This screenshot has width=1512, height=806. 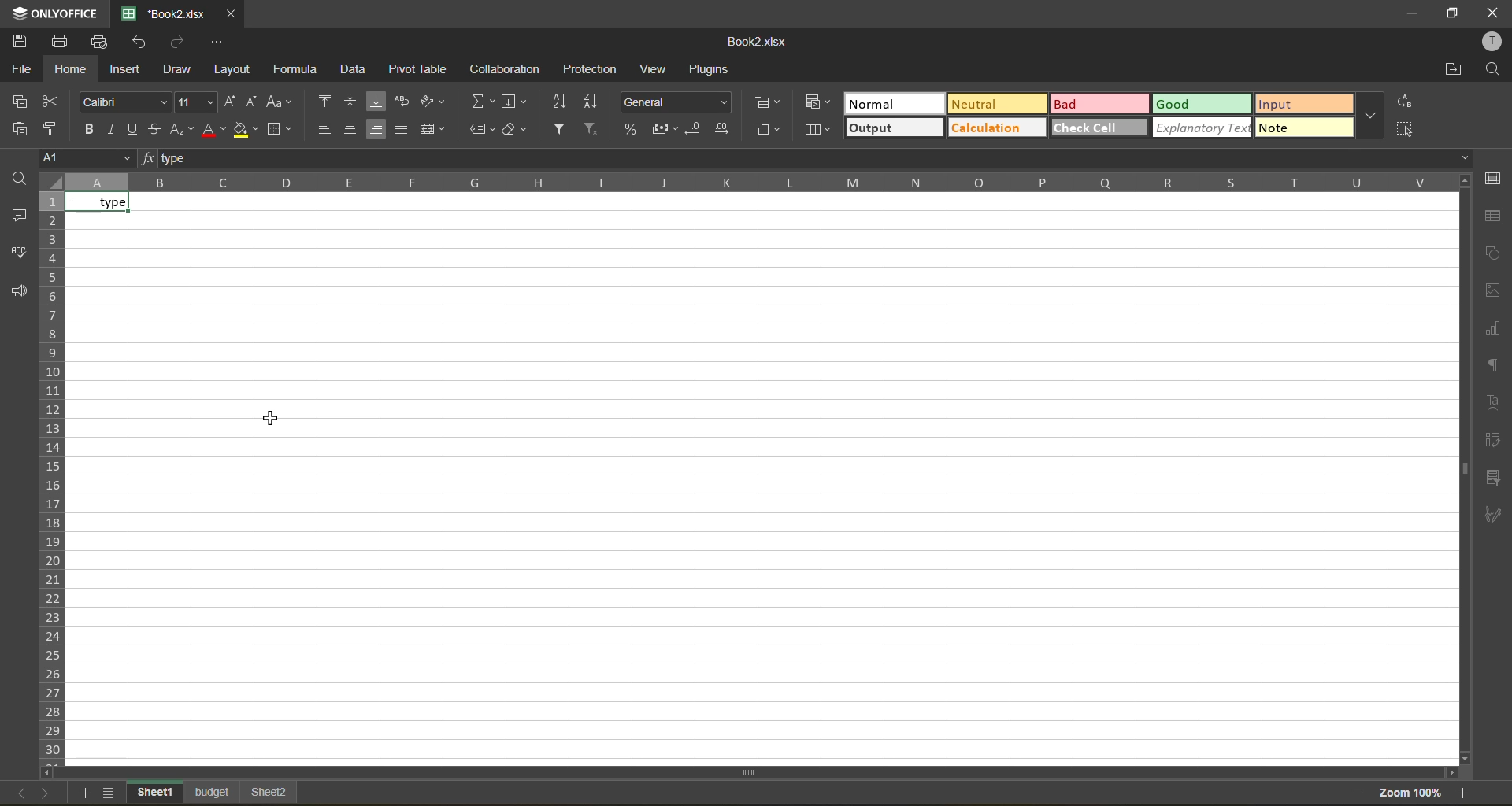 I want to click on align middle, so click(x=354, y=104).